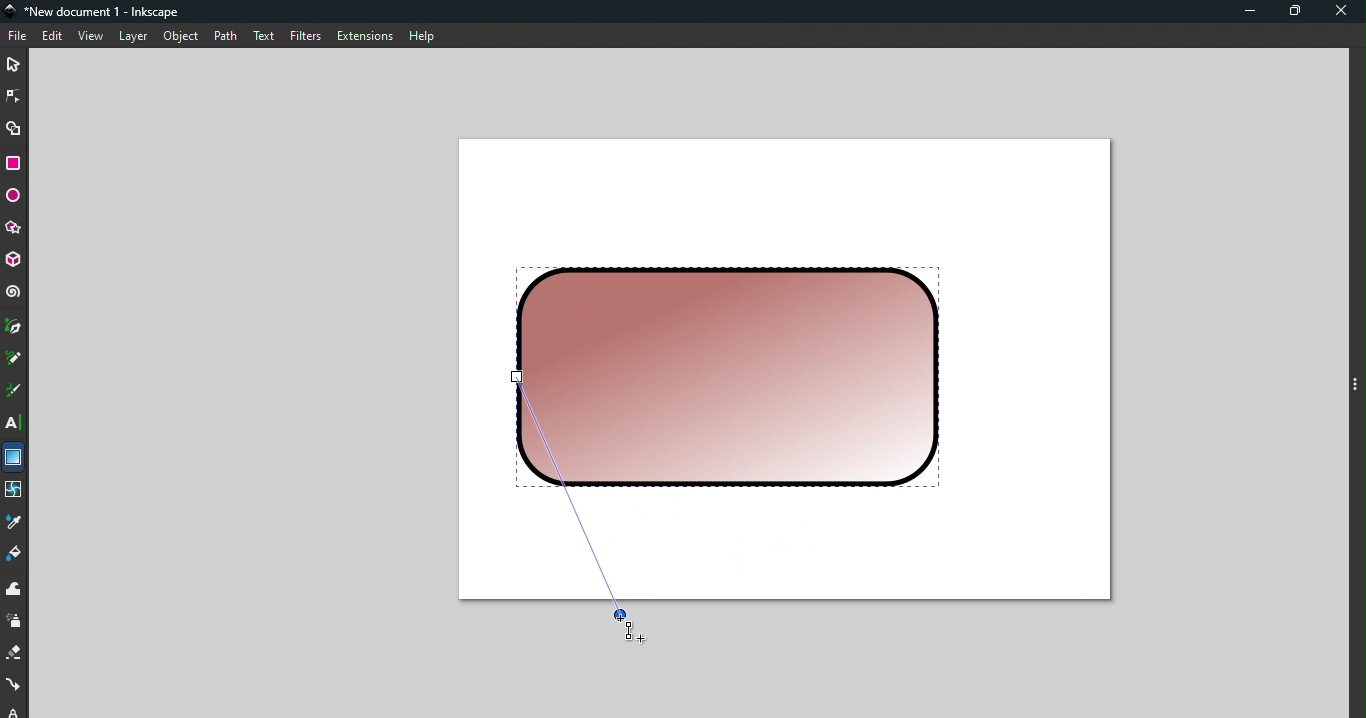  I want to click on Filters, so click(304, 35).